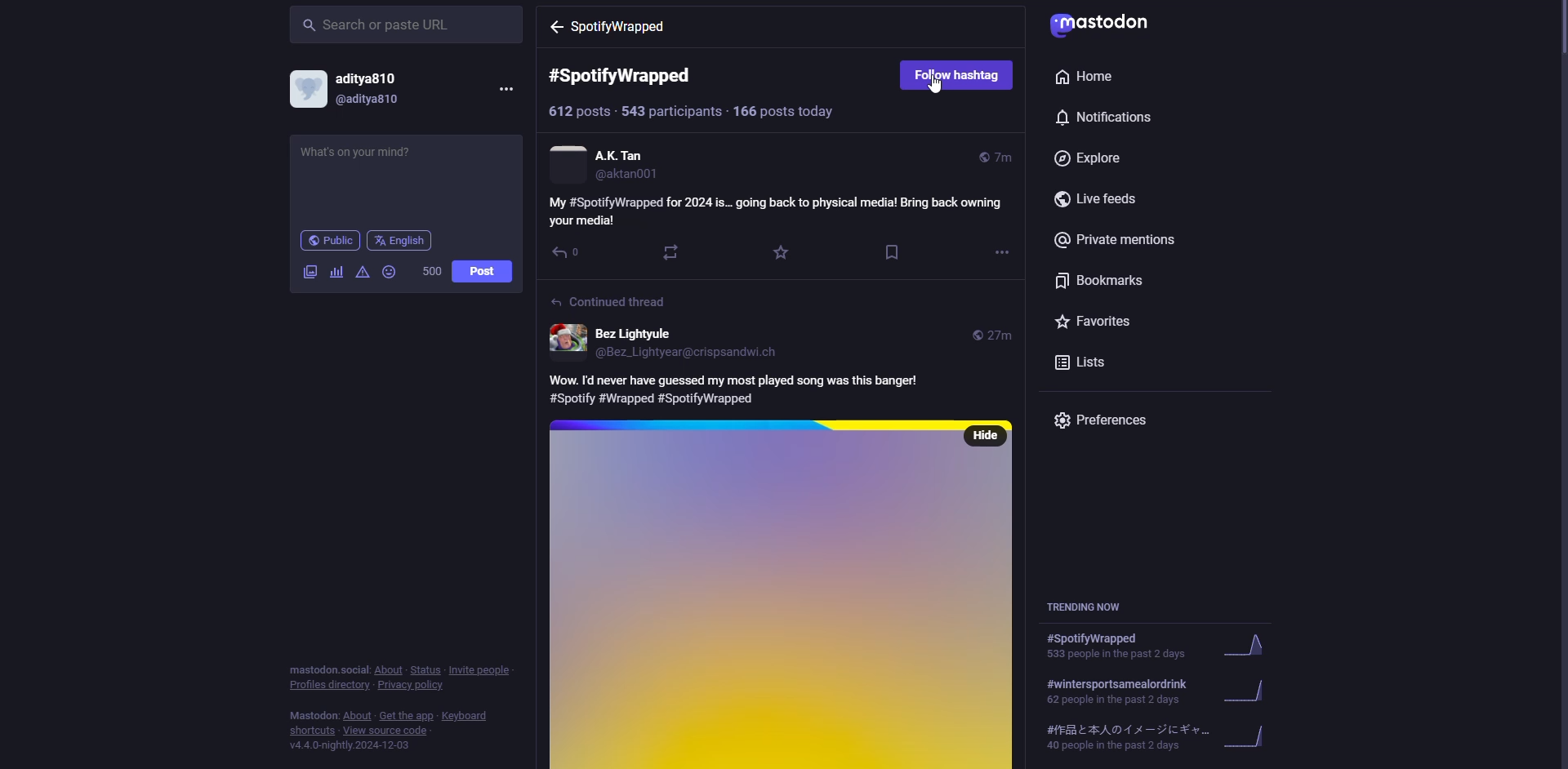 The image size is (1568, 769). What do you see at coordinates (1102, 198) in the screenshot?
I see `live feeds` at bounding box center [1102, 198].